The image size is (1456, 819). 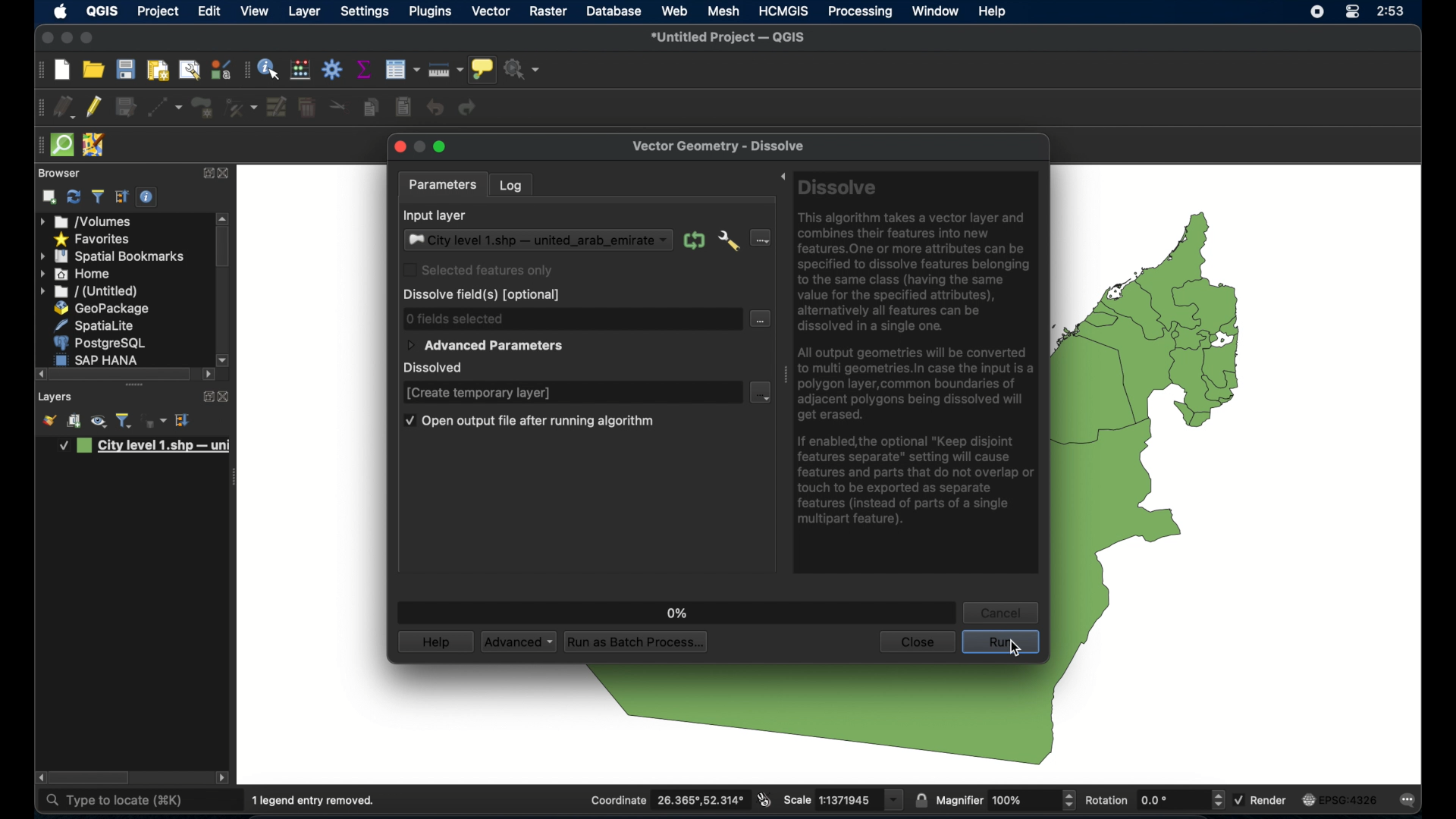 What do you see at coordinates (337, 106) in the screenshot?
I see `cut features` at bounding box center [337, 106].